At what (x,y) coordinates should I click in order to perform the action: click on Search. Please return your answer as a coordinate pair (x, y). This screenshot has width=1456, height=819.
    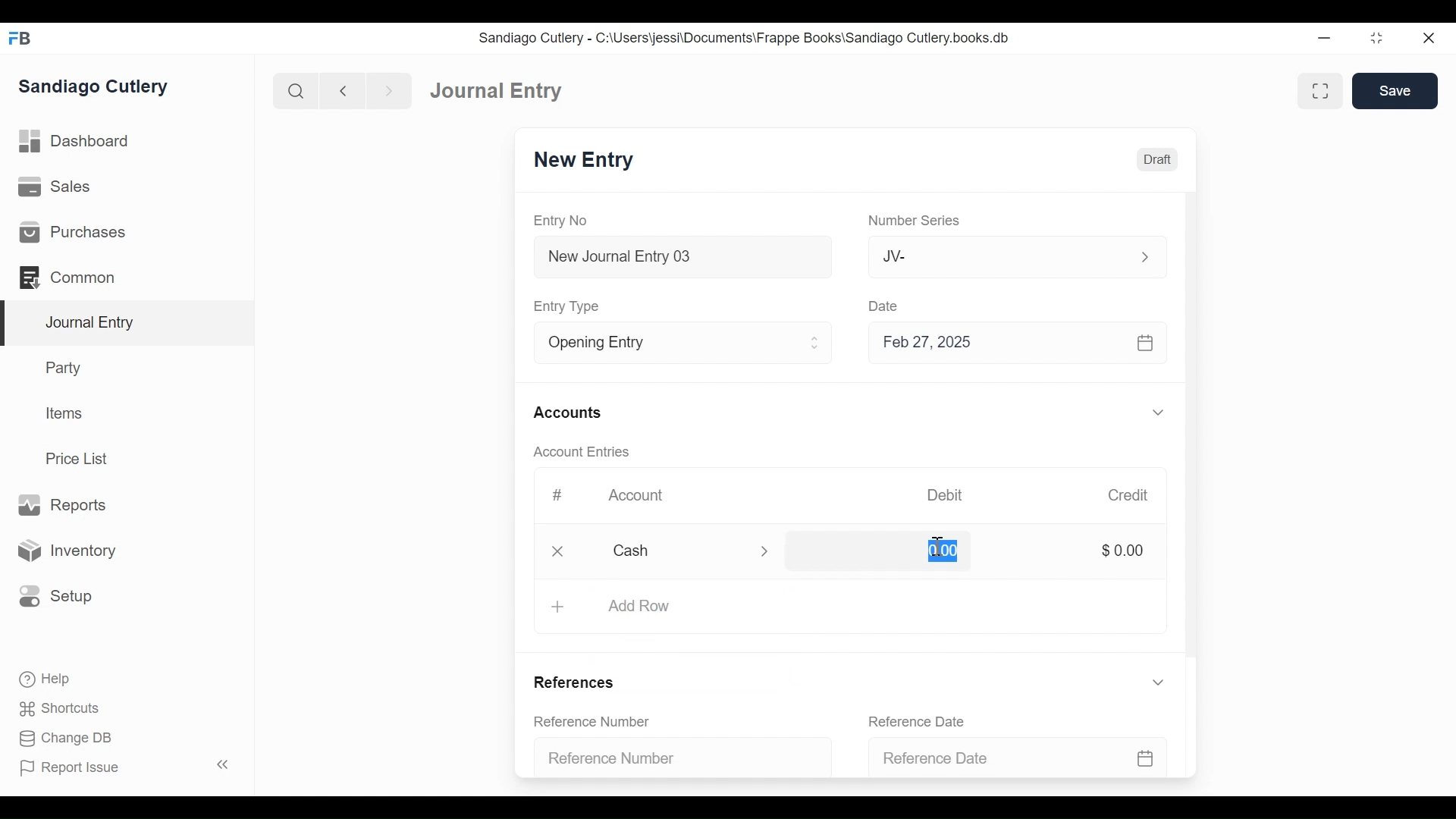
    Looking at the image, I should click on (294, 90).